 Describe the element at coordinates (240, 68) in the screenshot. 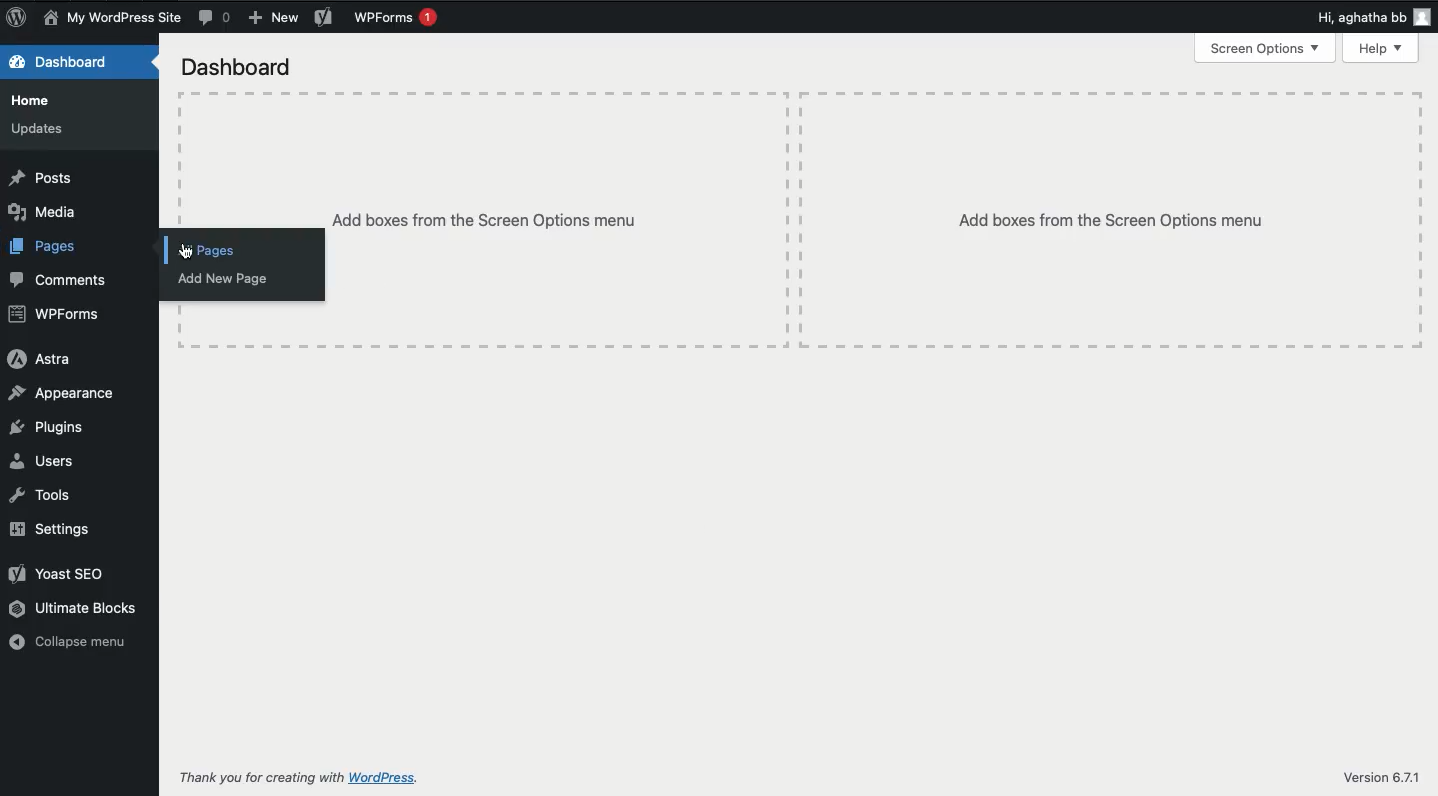

I see `Dashboard` at that location.